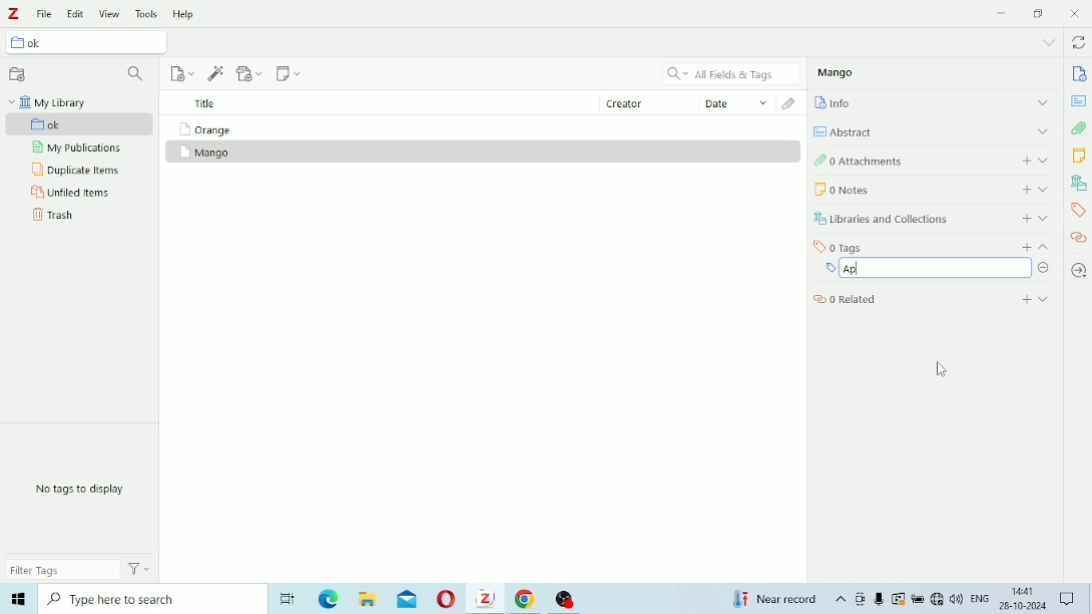 This screenshot has width=1092, height=614. What do you see at coordinates (898, 599) in the screenshot?
I see `Warning` at bounding box center [898, 599].